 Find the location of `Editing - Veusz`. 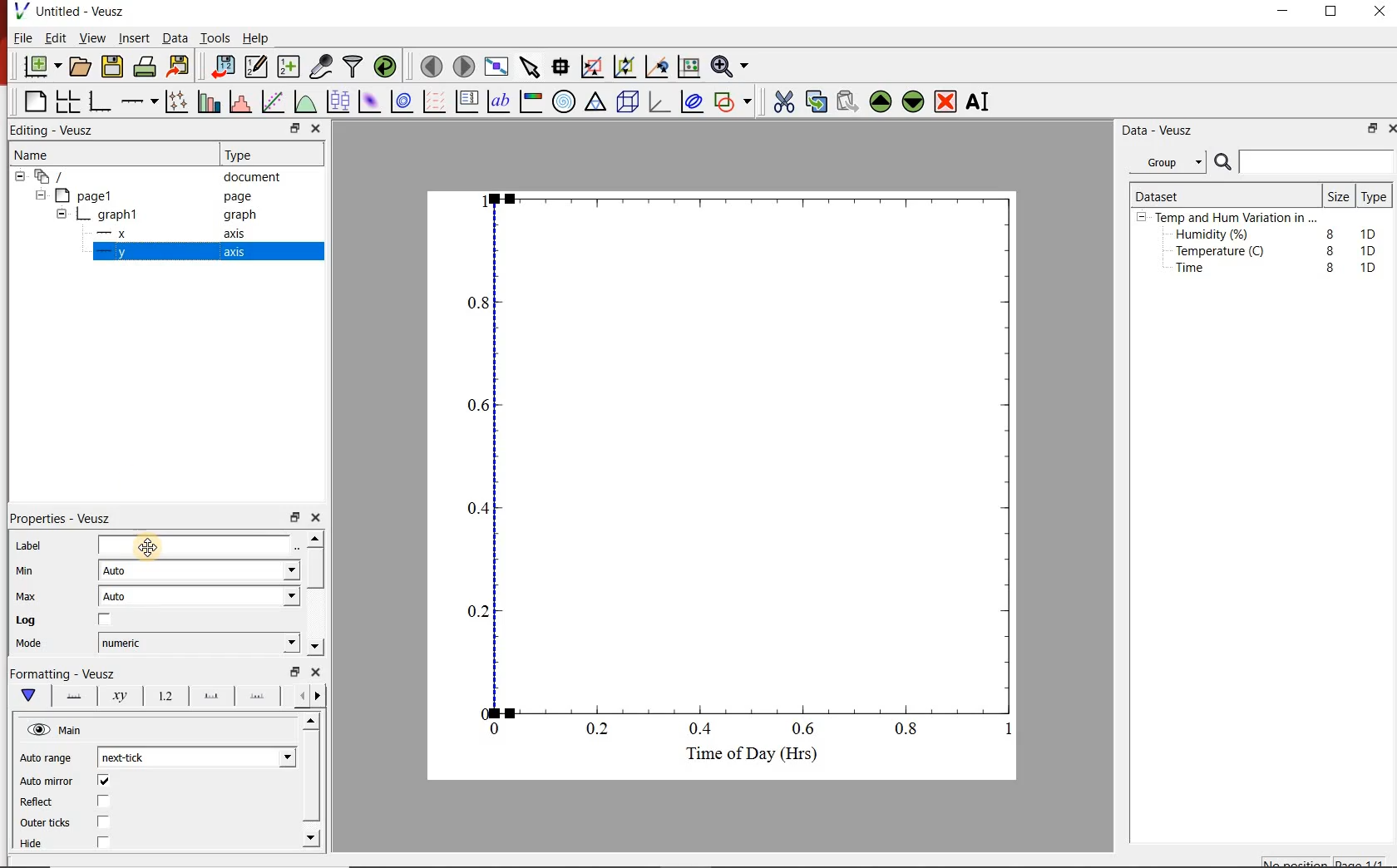

Editing - Veusz is located at coordinates (57, 130).